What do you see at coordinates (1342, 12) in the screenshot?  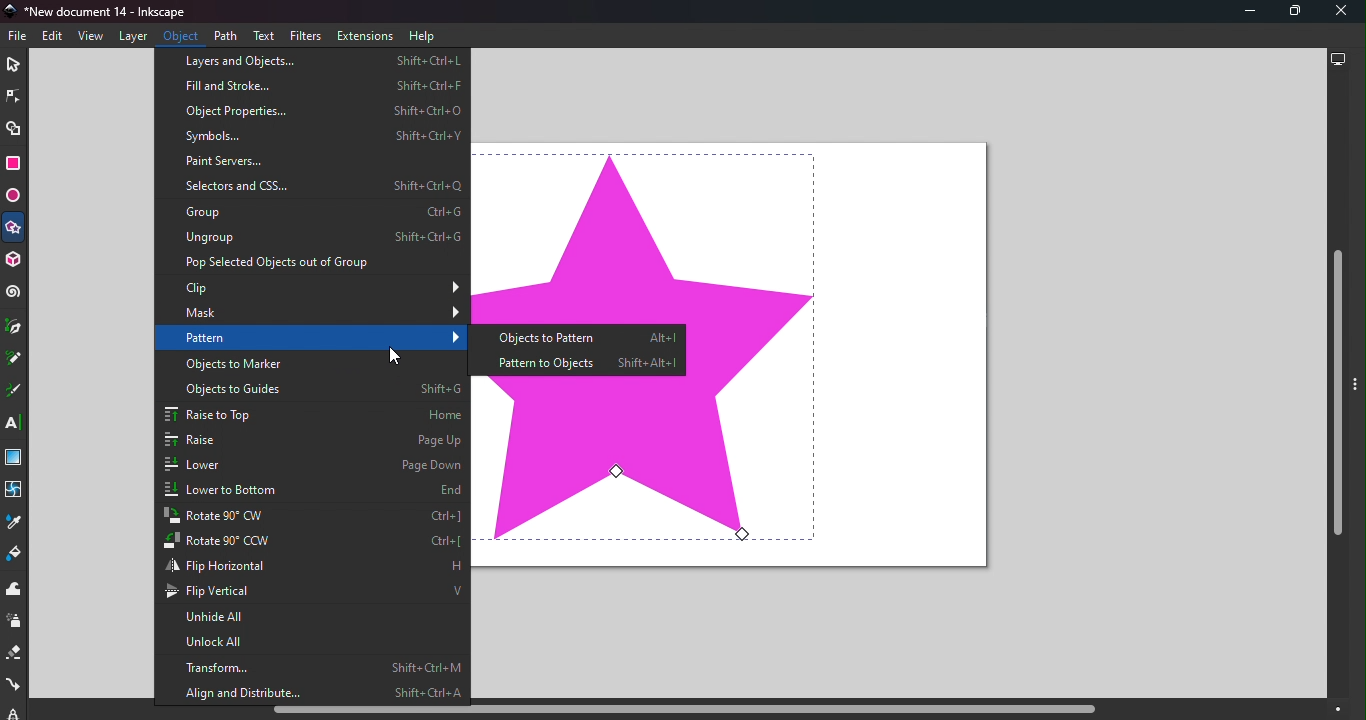 I see `Close` at bounding box center [1342, 12].